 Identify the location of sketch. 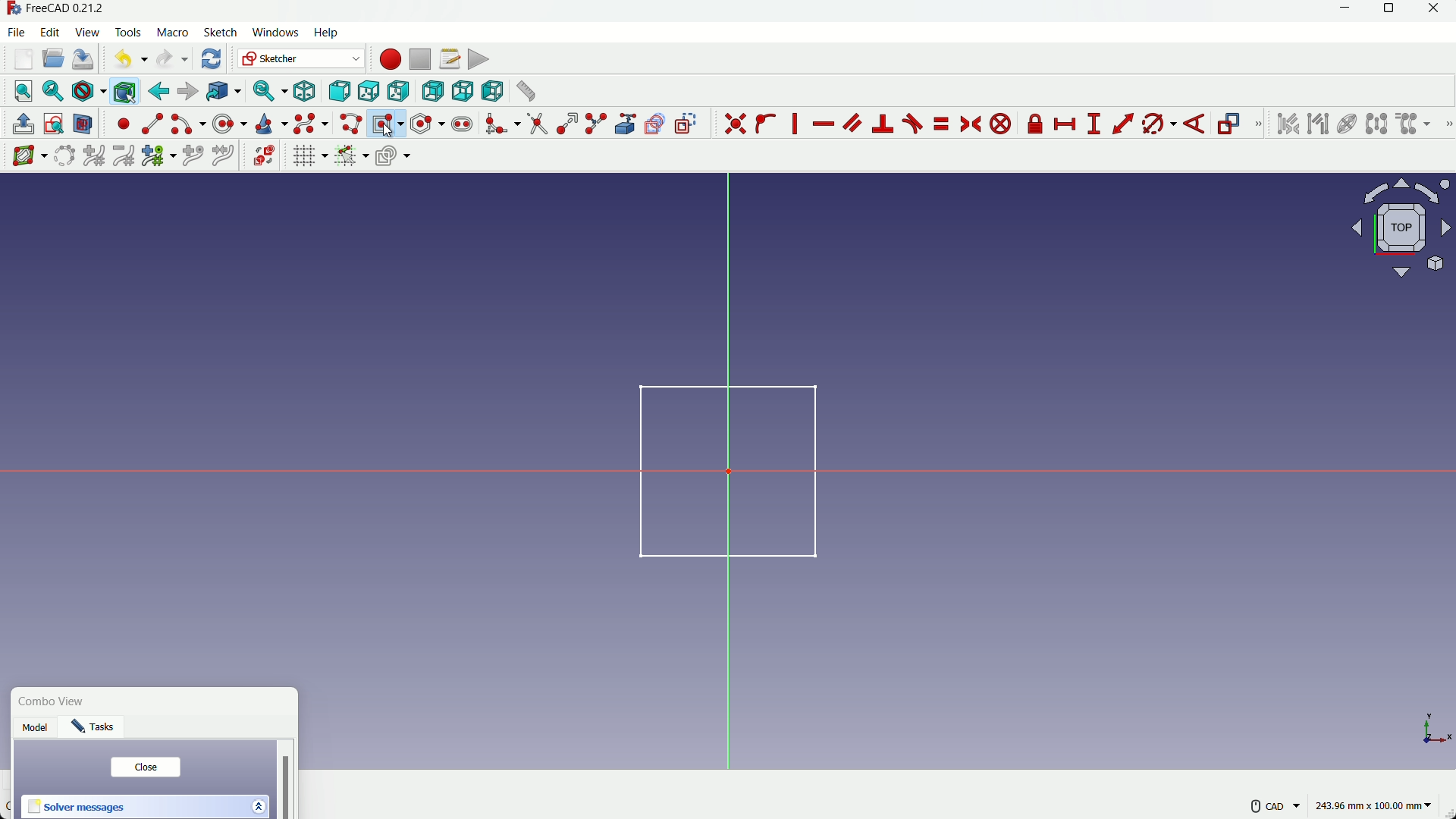
(717, 469).